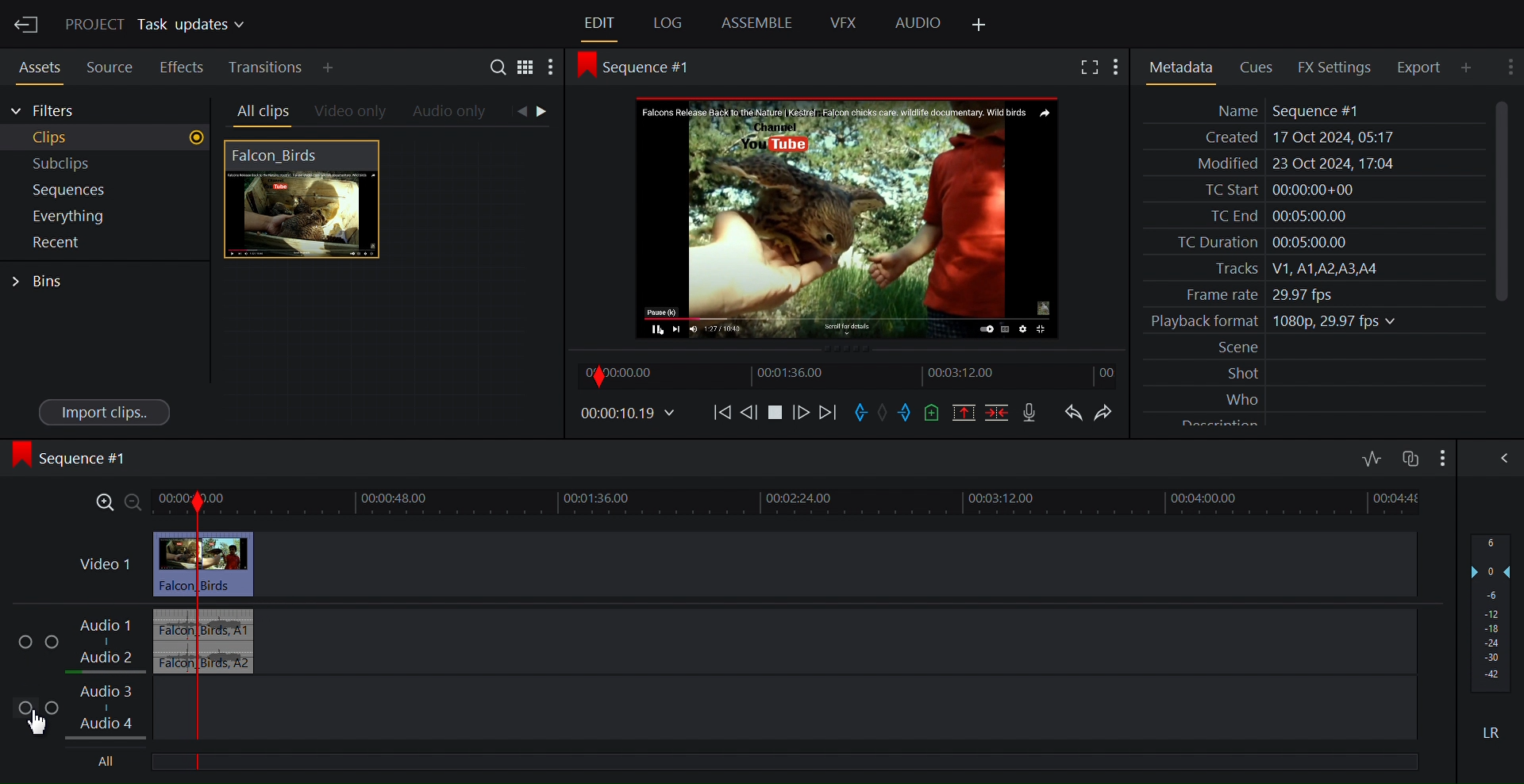 The image size is (1524, 784). I want to click on Import clips, so click(106, 411).